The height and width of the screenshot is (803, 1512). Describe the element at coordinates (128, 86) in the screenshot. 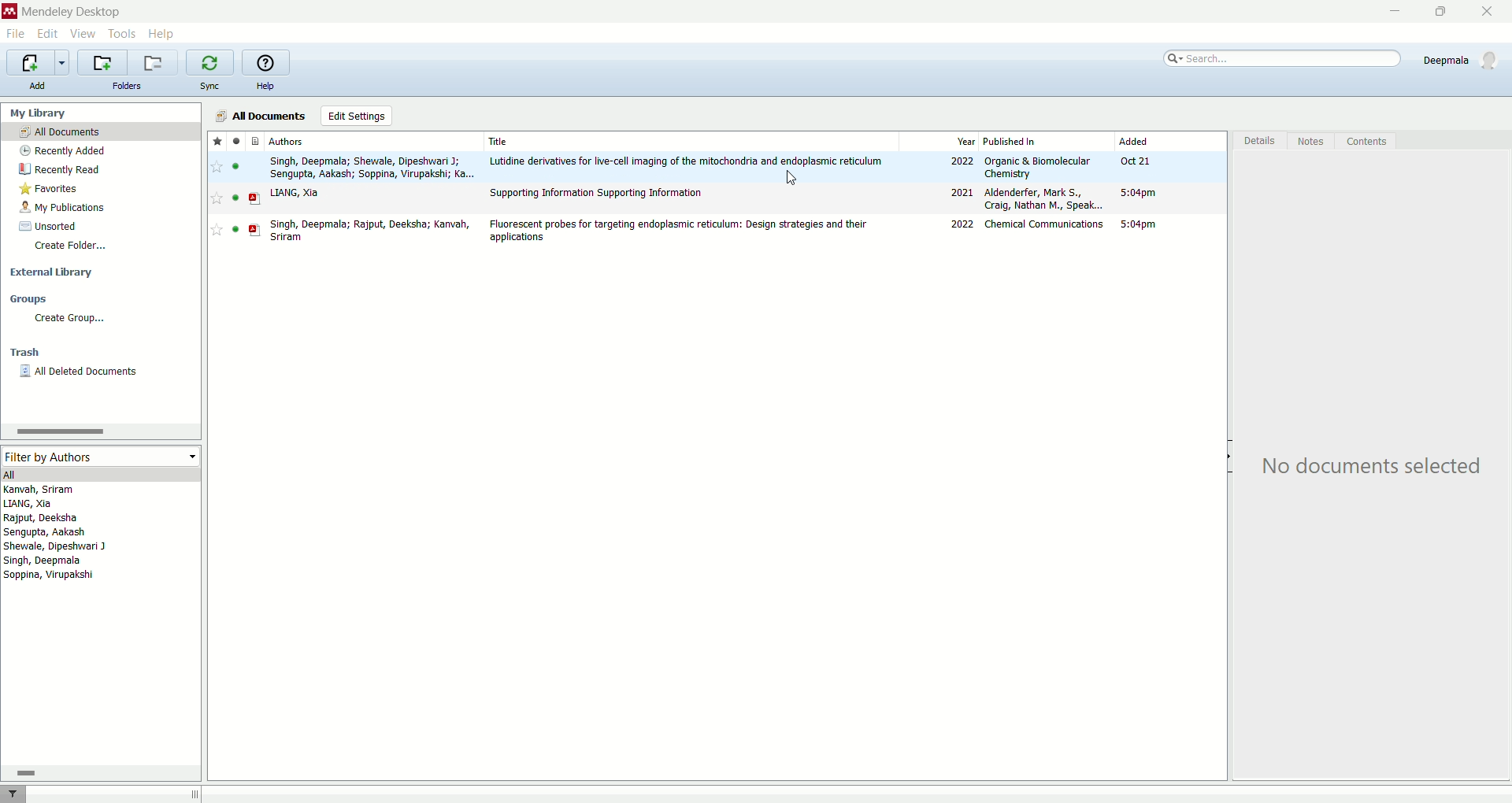

I see `folders` at that location.